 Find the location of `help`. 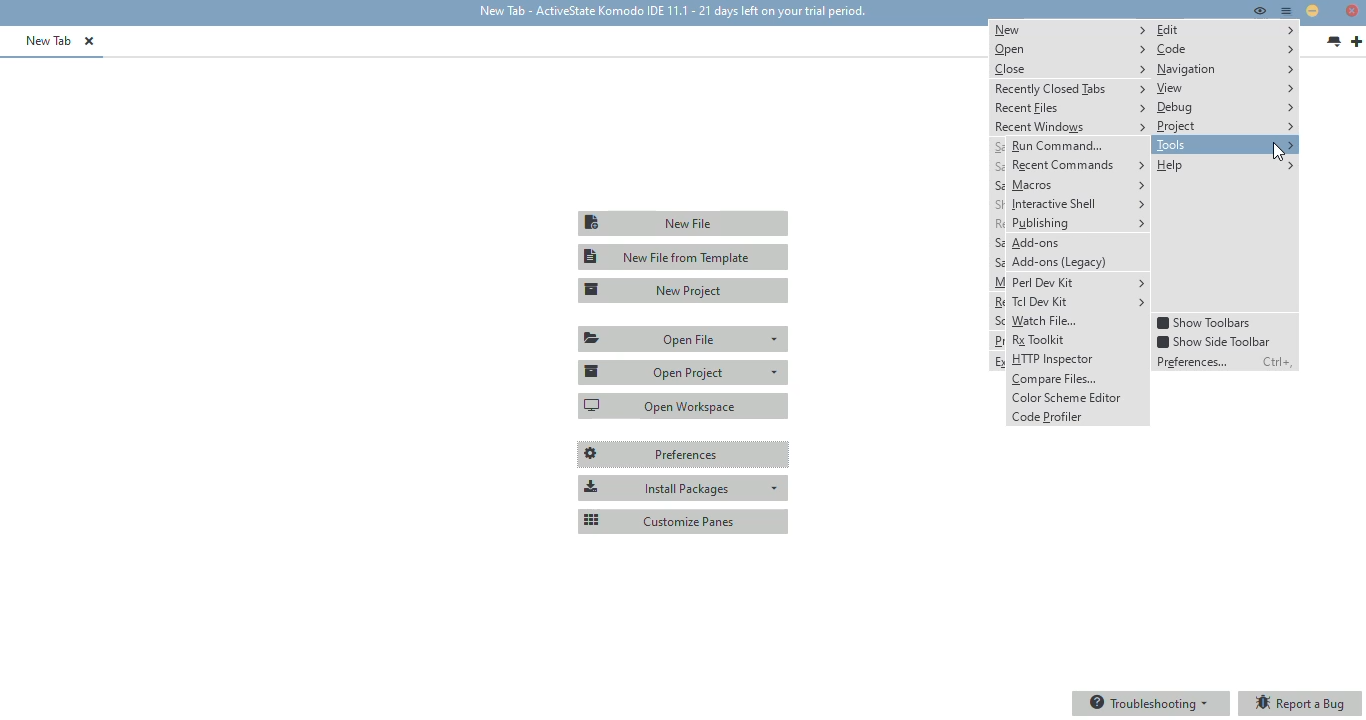

help is located at coordinates (1224, 165).